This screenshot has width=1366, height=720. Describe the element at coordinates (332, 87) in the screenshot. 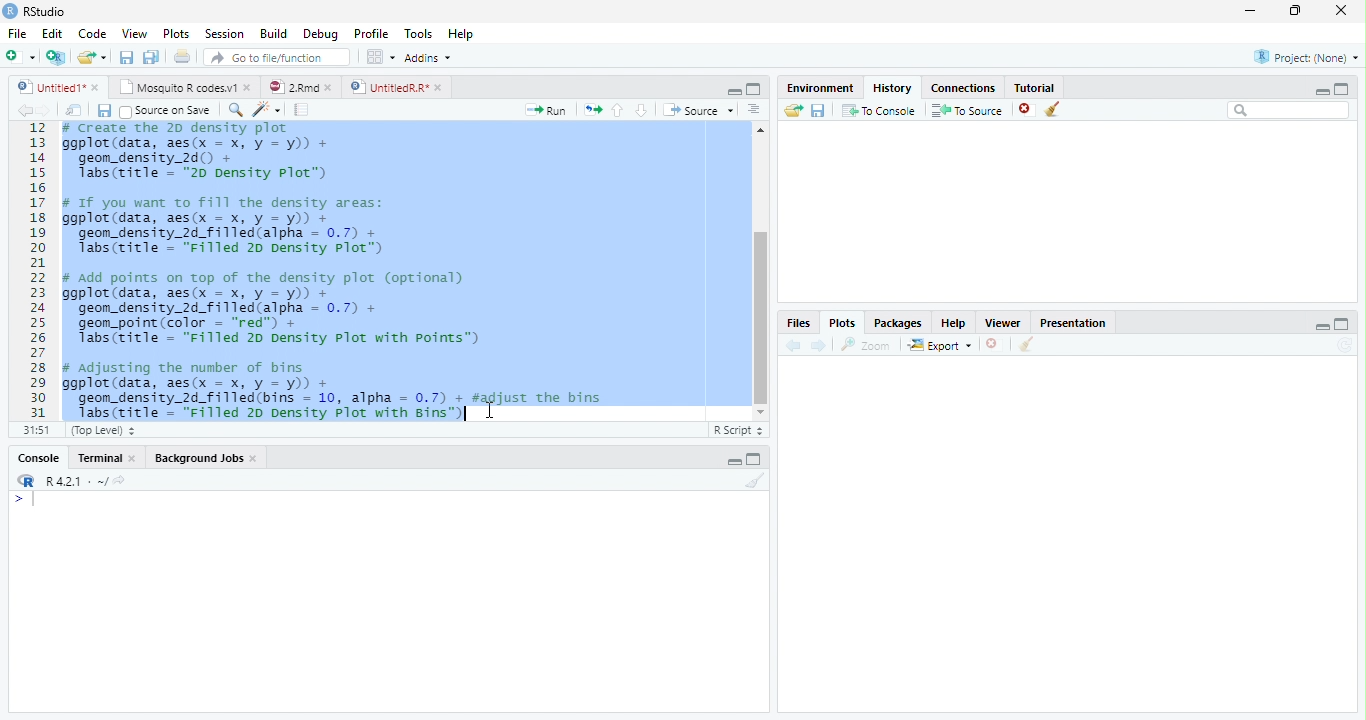

I see `close` at that location.